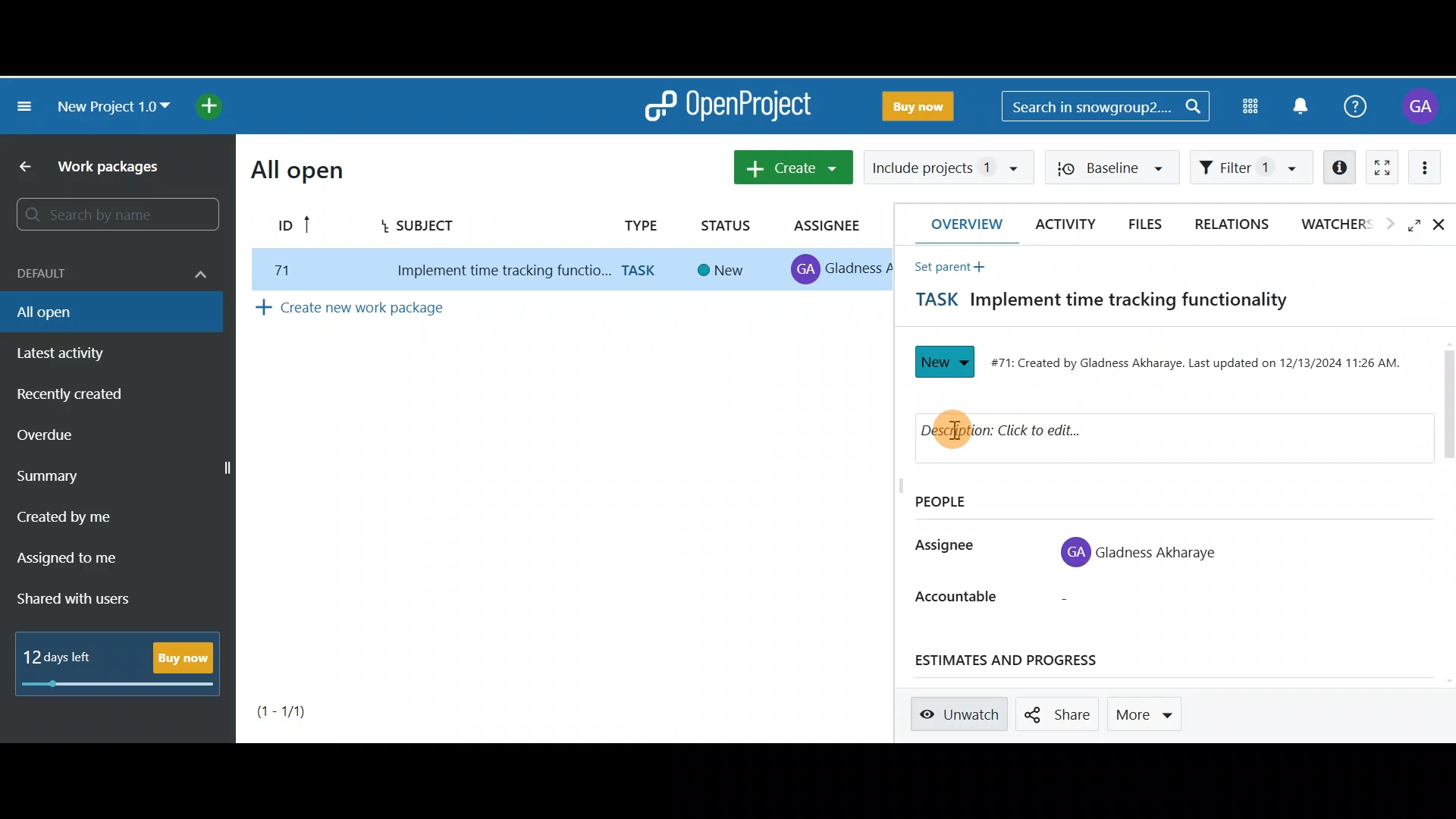 This screenshot has width=1456, height=819. I want to click on profile icon, so click(807, 270).